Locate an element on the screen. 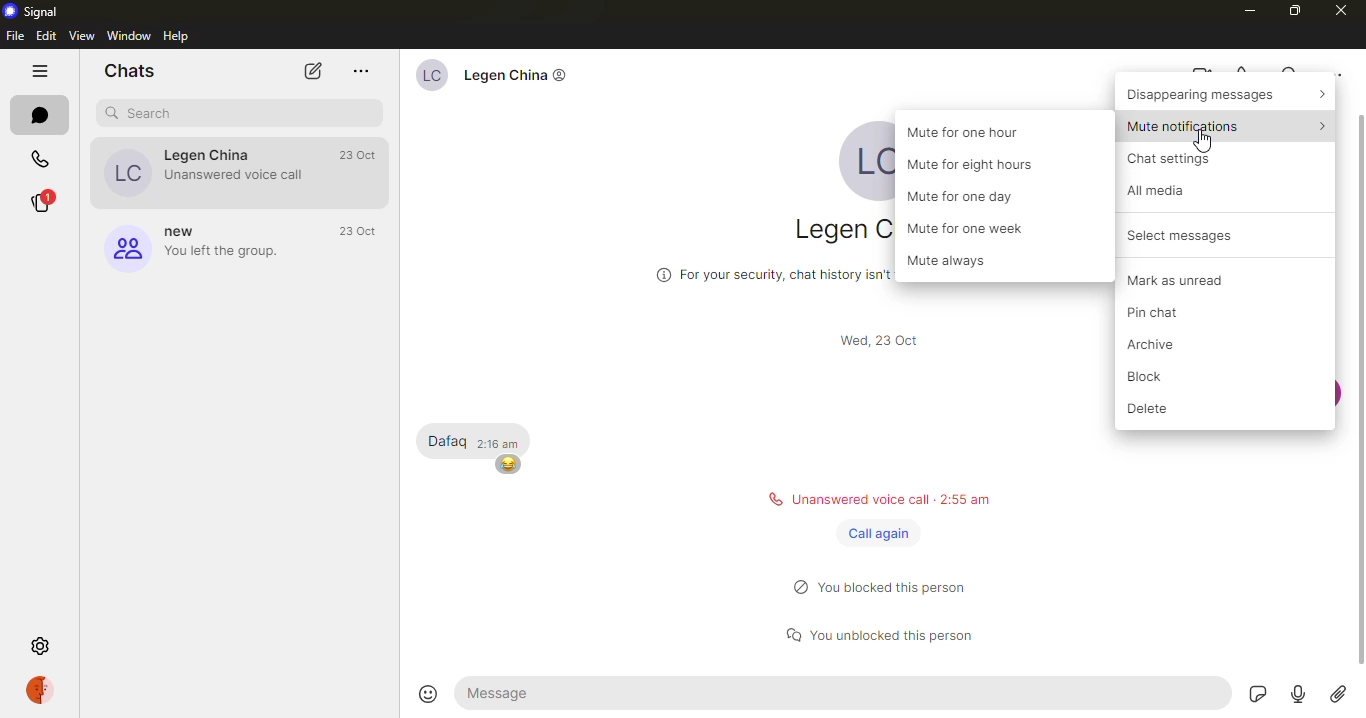 The width and height of the screenshot is (1366, 718). time is located at coordinates (886, 342).